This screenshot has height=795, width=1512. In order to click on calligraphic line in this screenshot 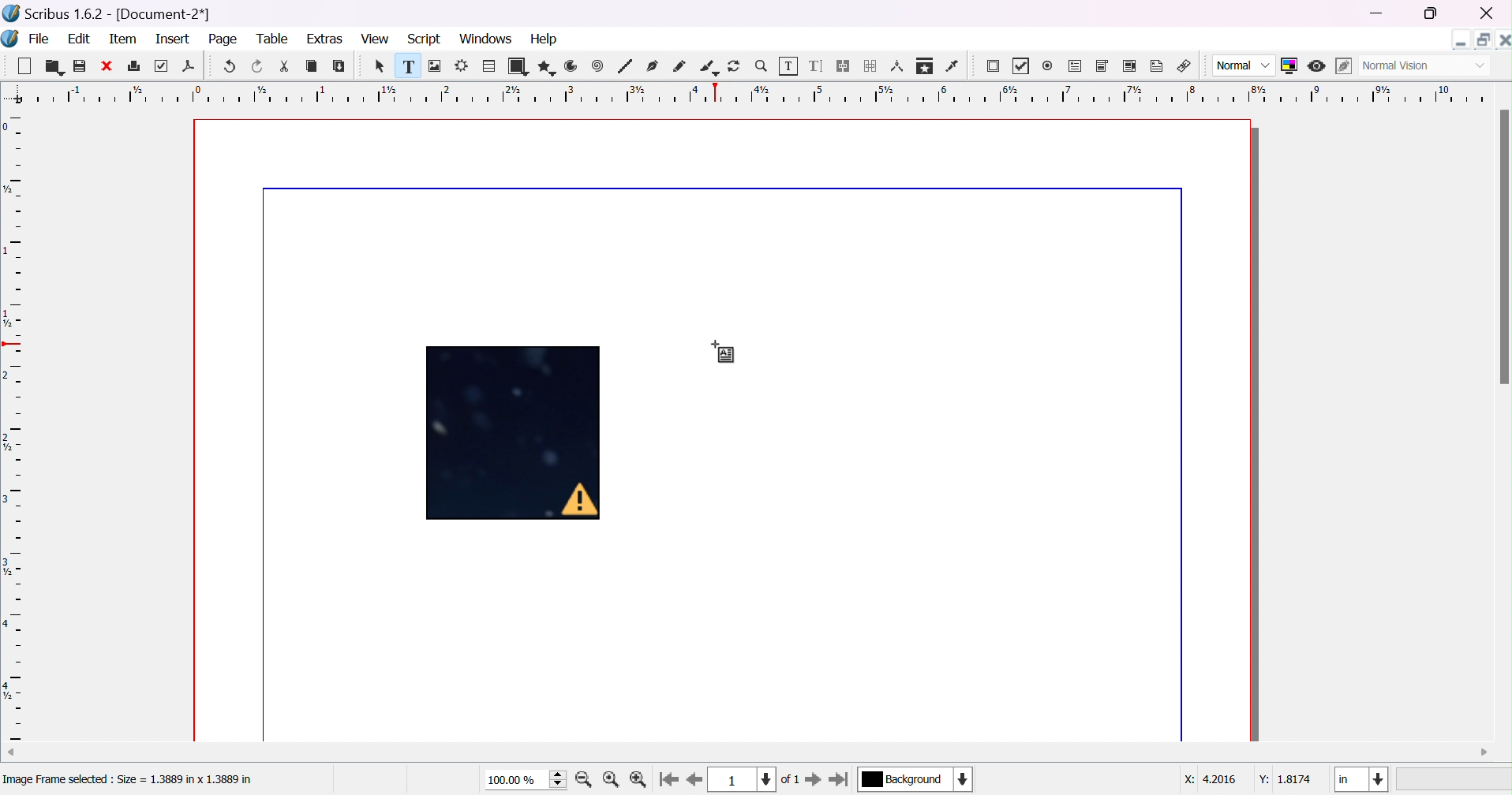, I will do `click(708, 65)`.